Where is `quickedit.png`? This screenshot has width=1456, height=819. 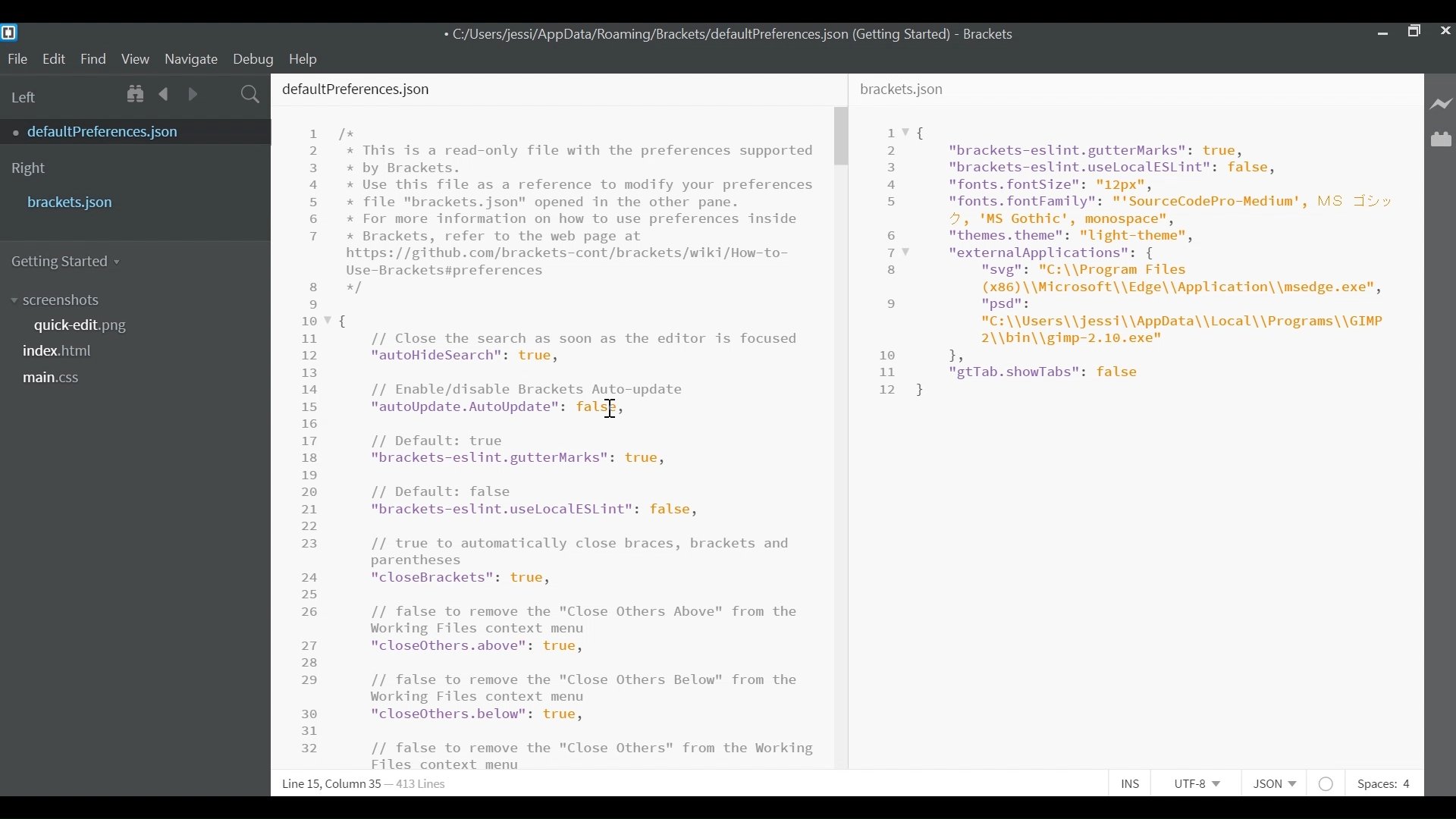
quickedit.png is located at coordinates (89, 325).